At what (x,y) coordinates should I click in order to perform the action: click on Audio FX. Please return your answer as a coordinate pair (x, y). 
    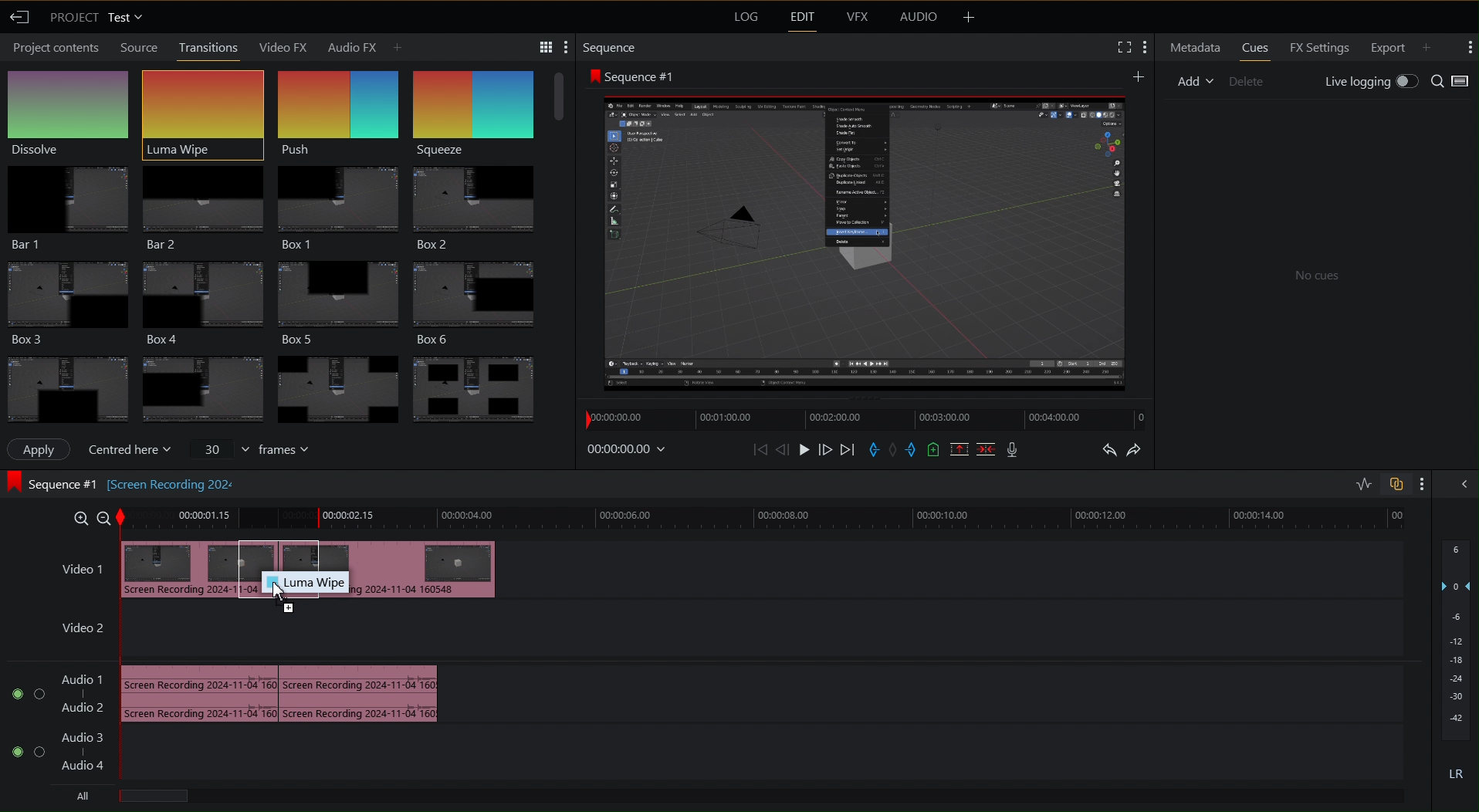
    Looking at the image, I should click on (364, 46).